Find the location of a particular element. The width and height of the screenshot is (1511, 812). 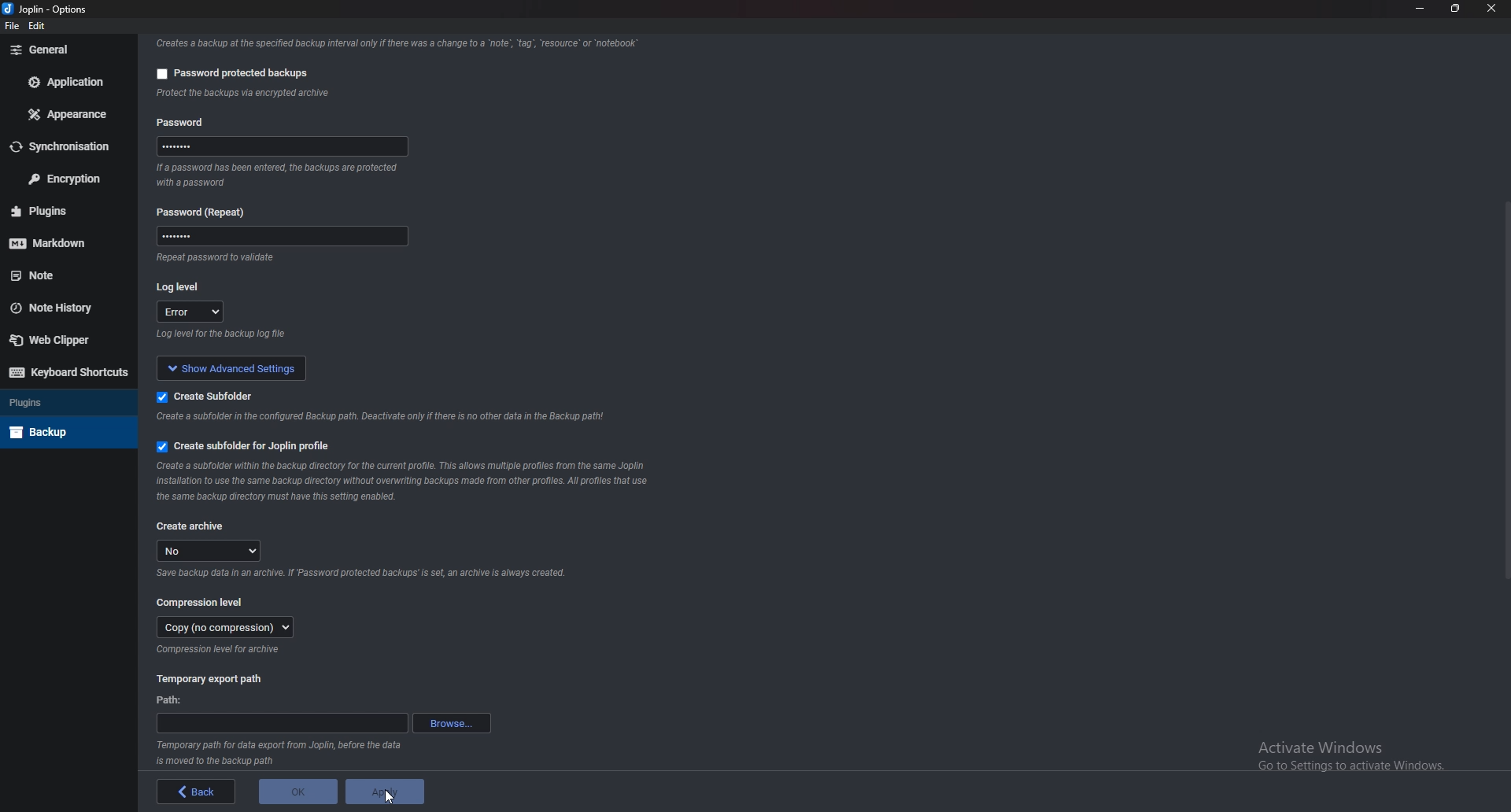

info is located at coordinates (393, 42).